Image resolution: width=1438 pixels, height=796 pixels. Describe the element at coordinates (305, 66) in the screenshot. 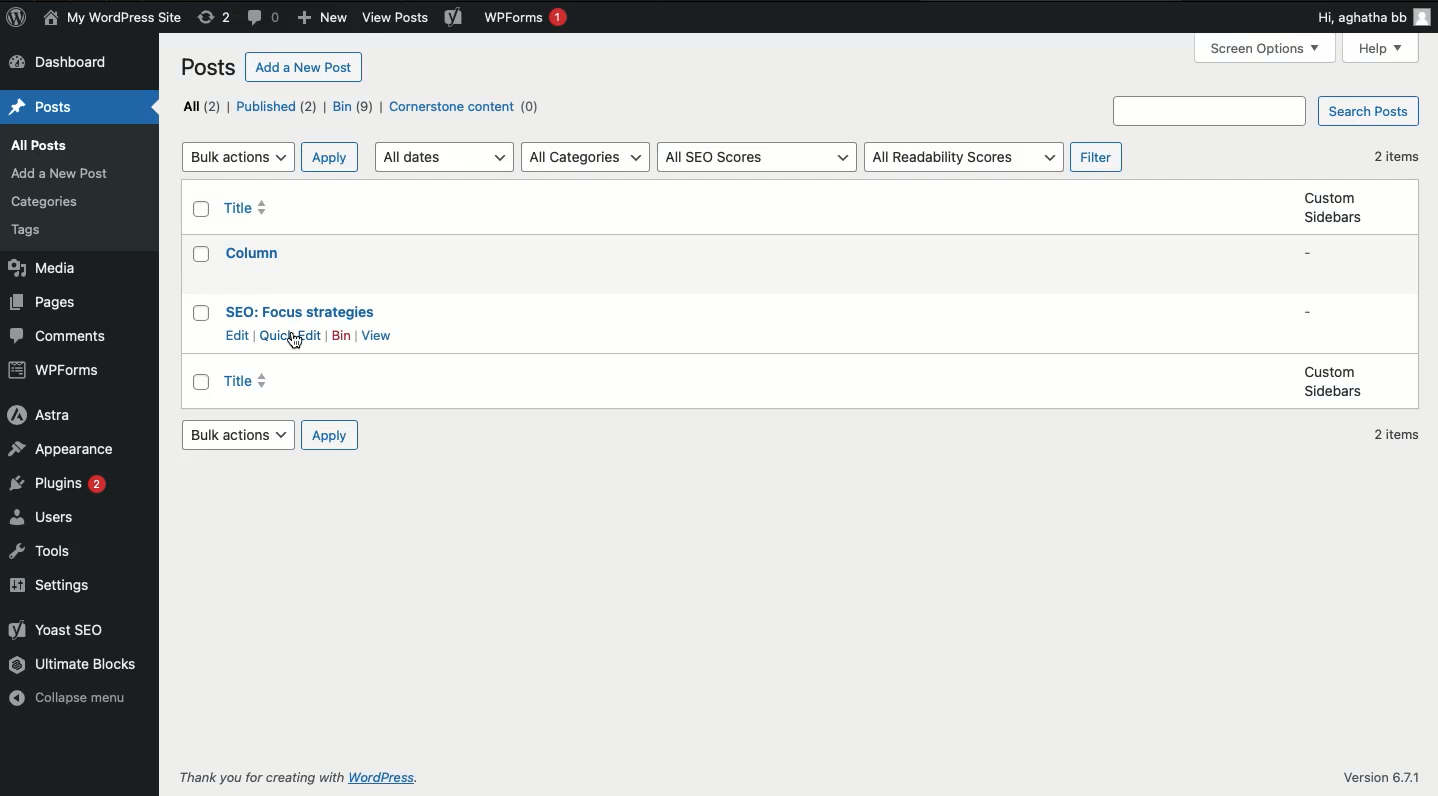

I see `Add a new post` at that location.